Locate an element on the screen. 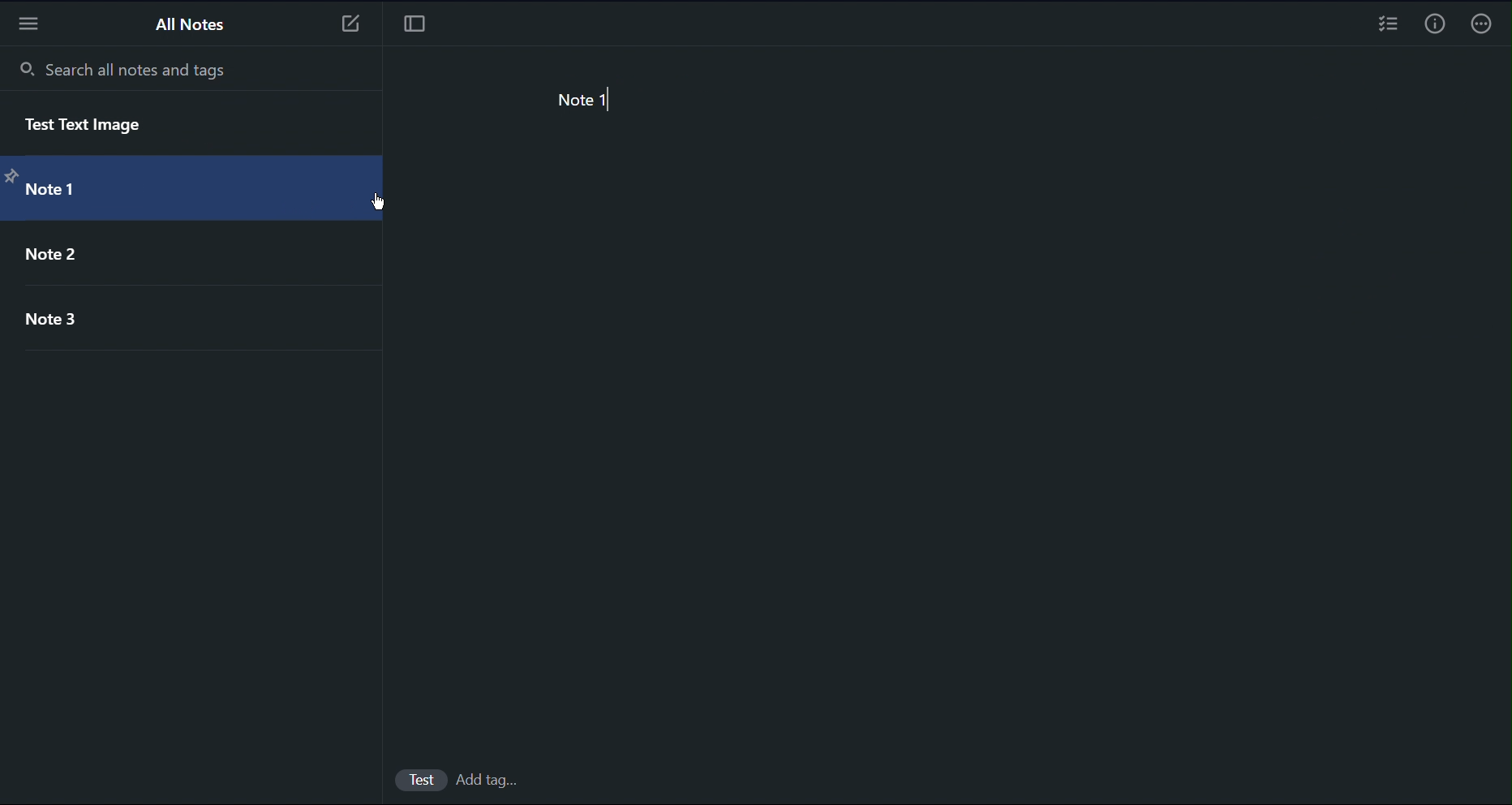 This screenshot has width=1512, height=805. Test Text Image is located at coordinates (110, 125).